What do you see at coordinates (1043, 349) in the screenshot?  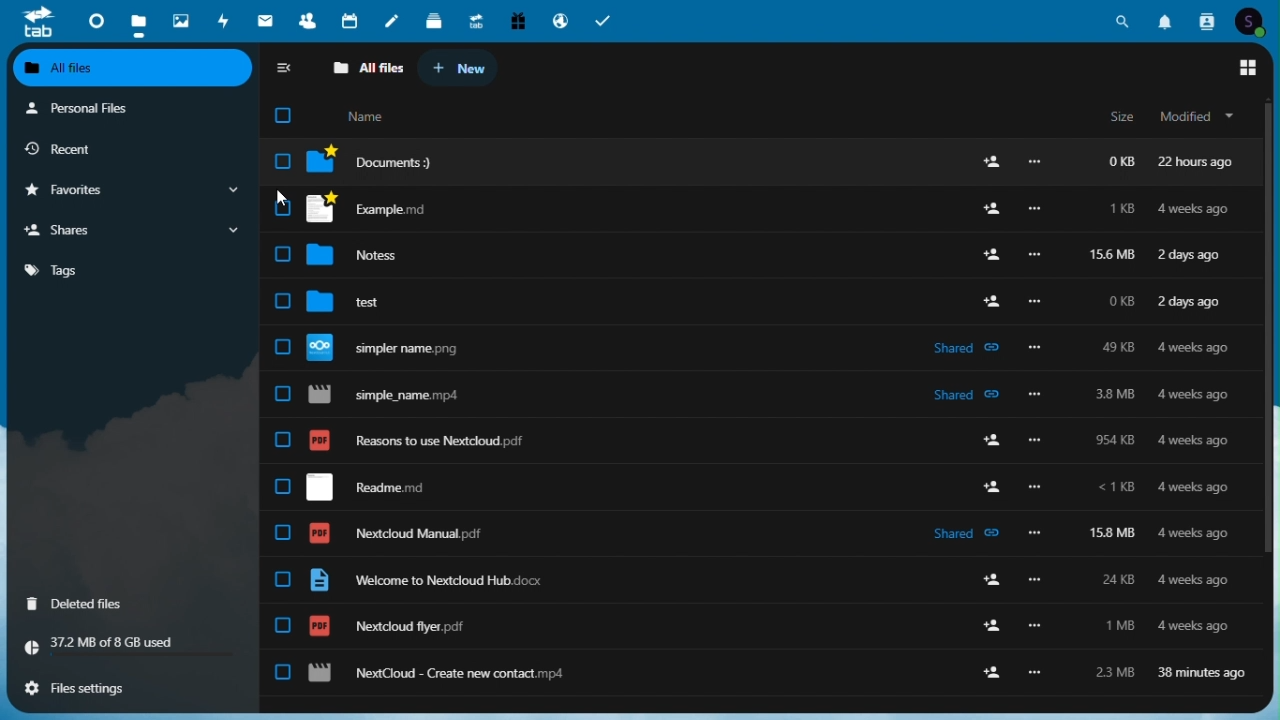 I see `more options` at bounding box center [1043, 349].